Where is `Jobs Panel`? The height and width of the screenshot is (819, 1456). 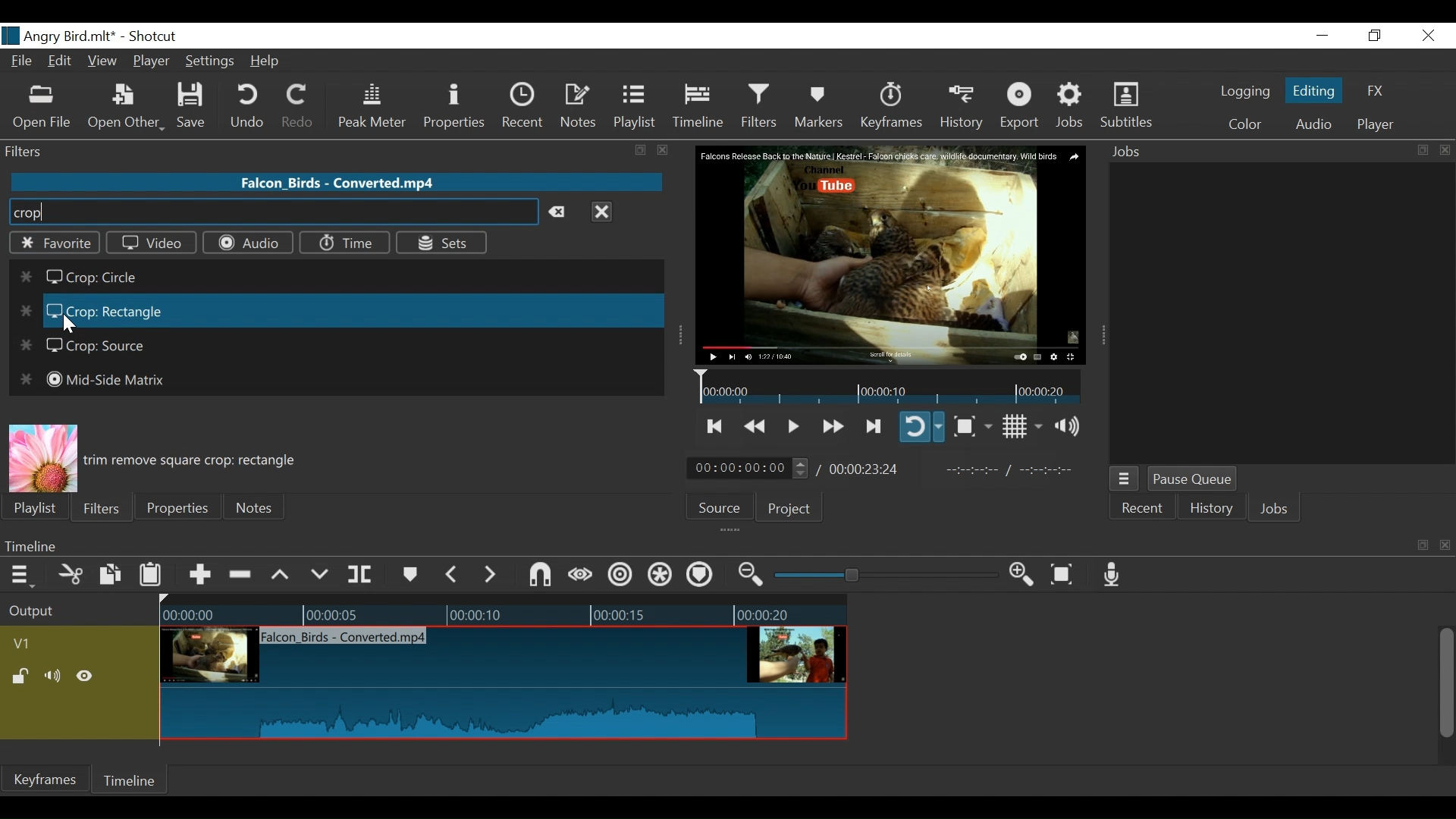 Jobs Panel is located at coordinates (1282, 312).